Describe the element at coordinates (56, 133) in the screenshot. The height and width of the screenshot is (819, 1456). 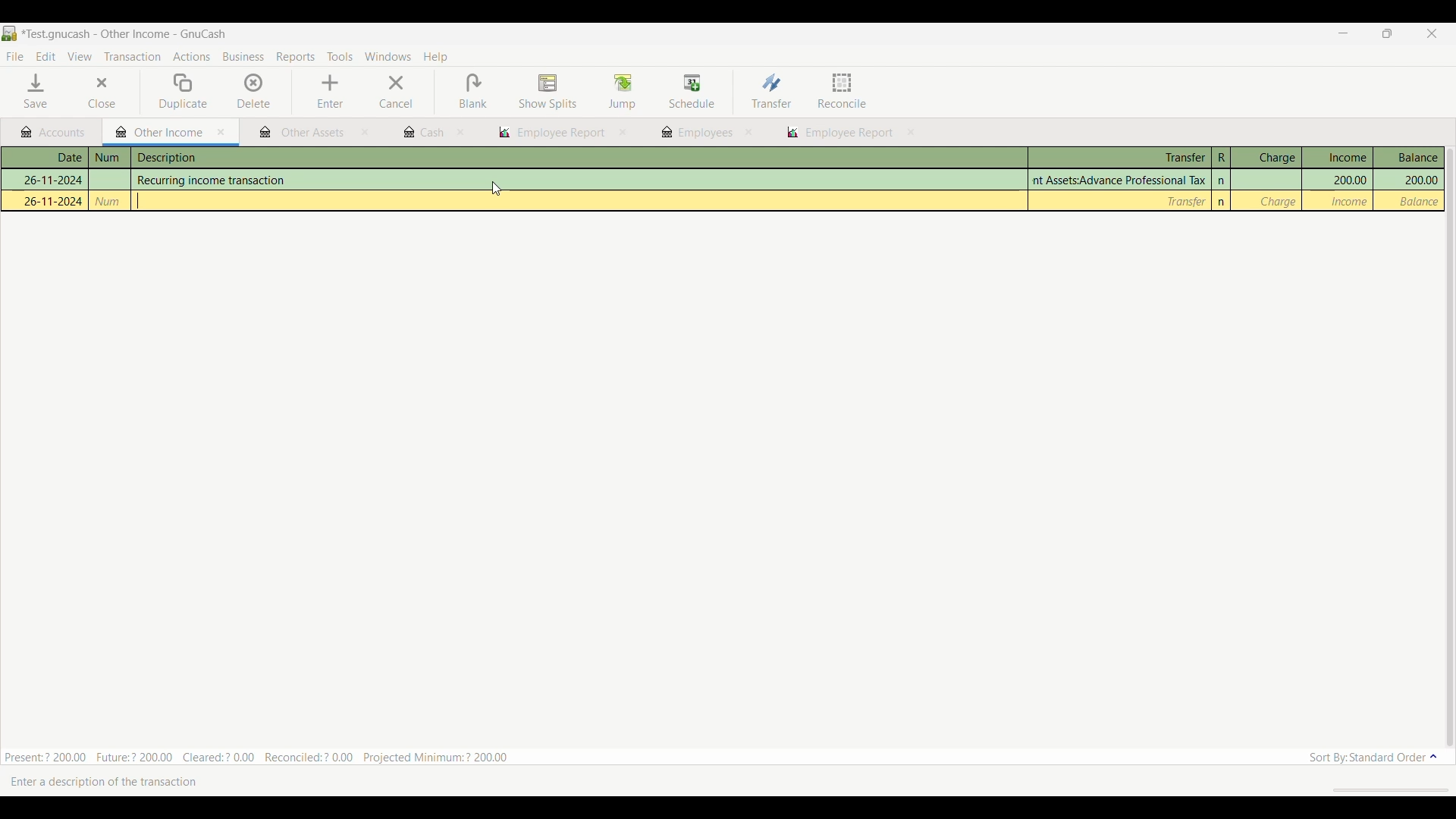
I see `Accounts` at that location.